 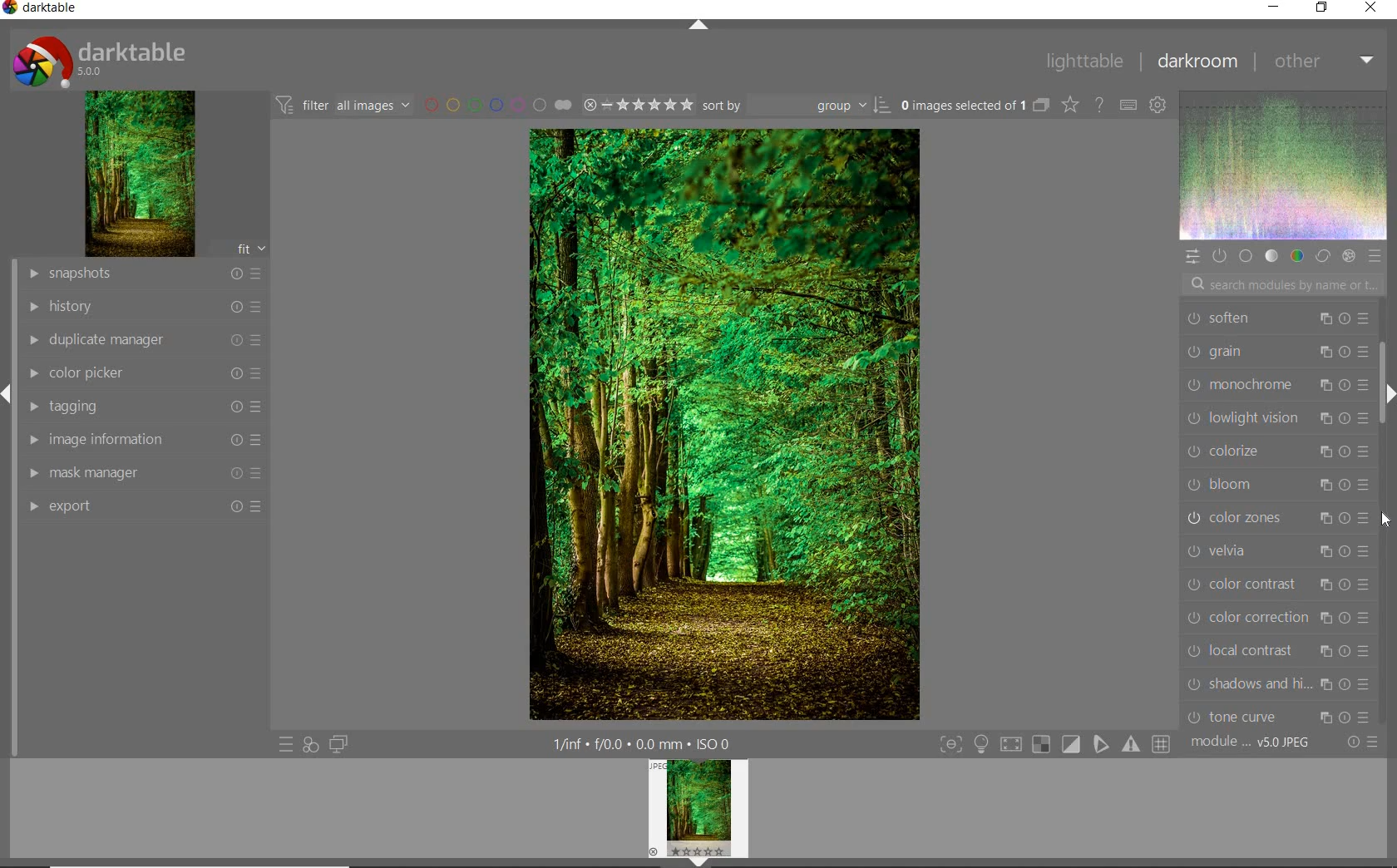 I want to click on TOGGLE MODES, so click(x=1054, y=745).